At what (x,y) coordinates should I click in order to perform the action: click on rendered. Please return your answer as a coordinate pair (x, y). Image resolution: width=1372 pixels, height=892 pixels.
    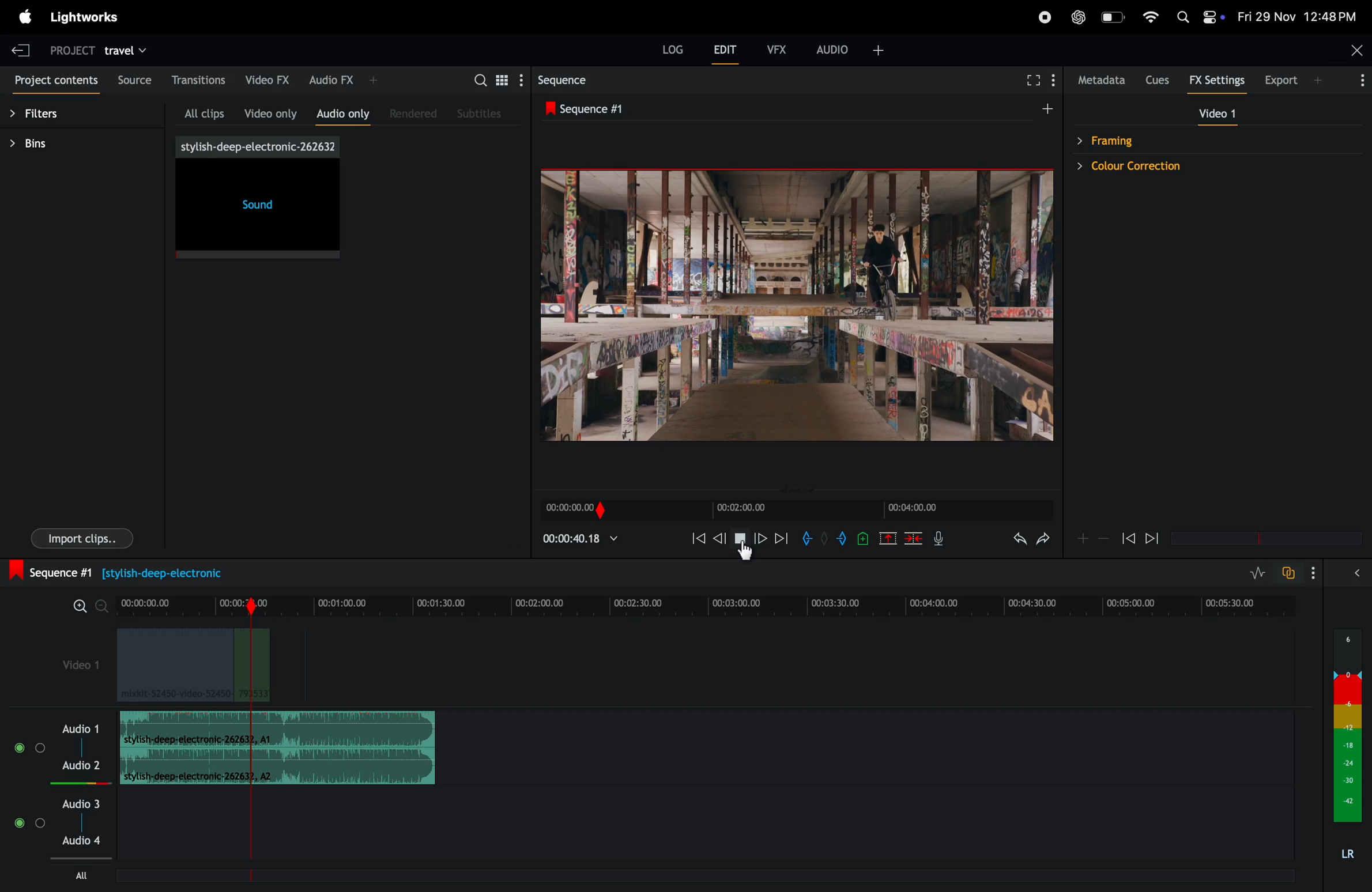
    Looking at the image, I should click on (416, 113).